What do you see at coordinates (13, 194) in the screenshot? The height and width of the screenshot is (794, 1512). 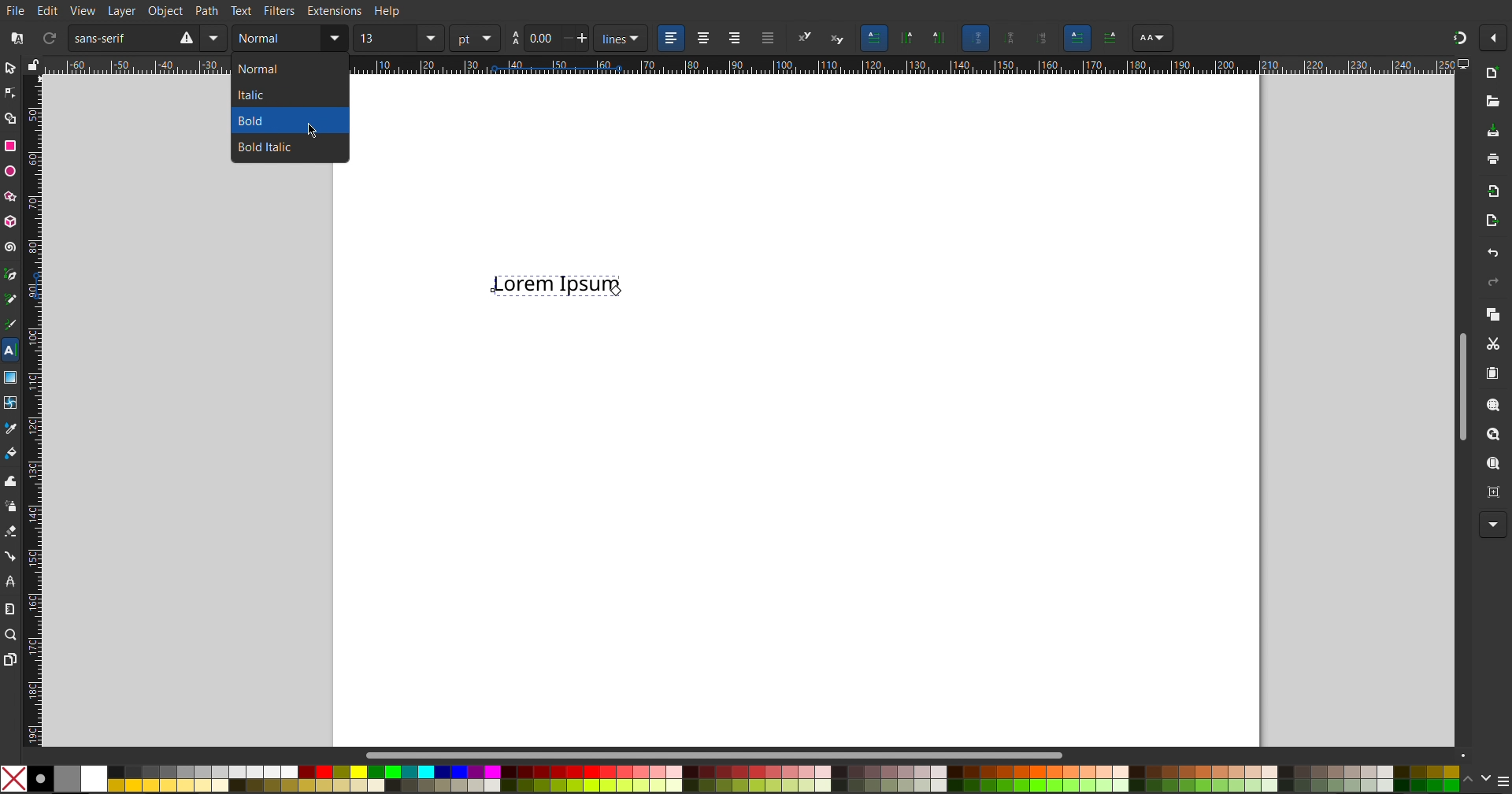 I see `Star Polygon` at bounding box center [13, 194].